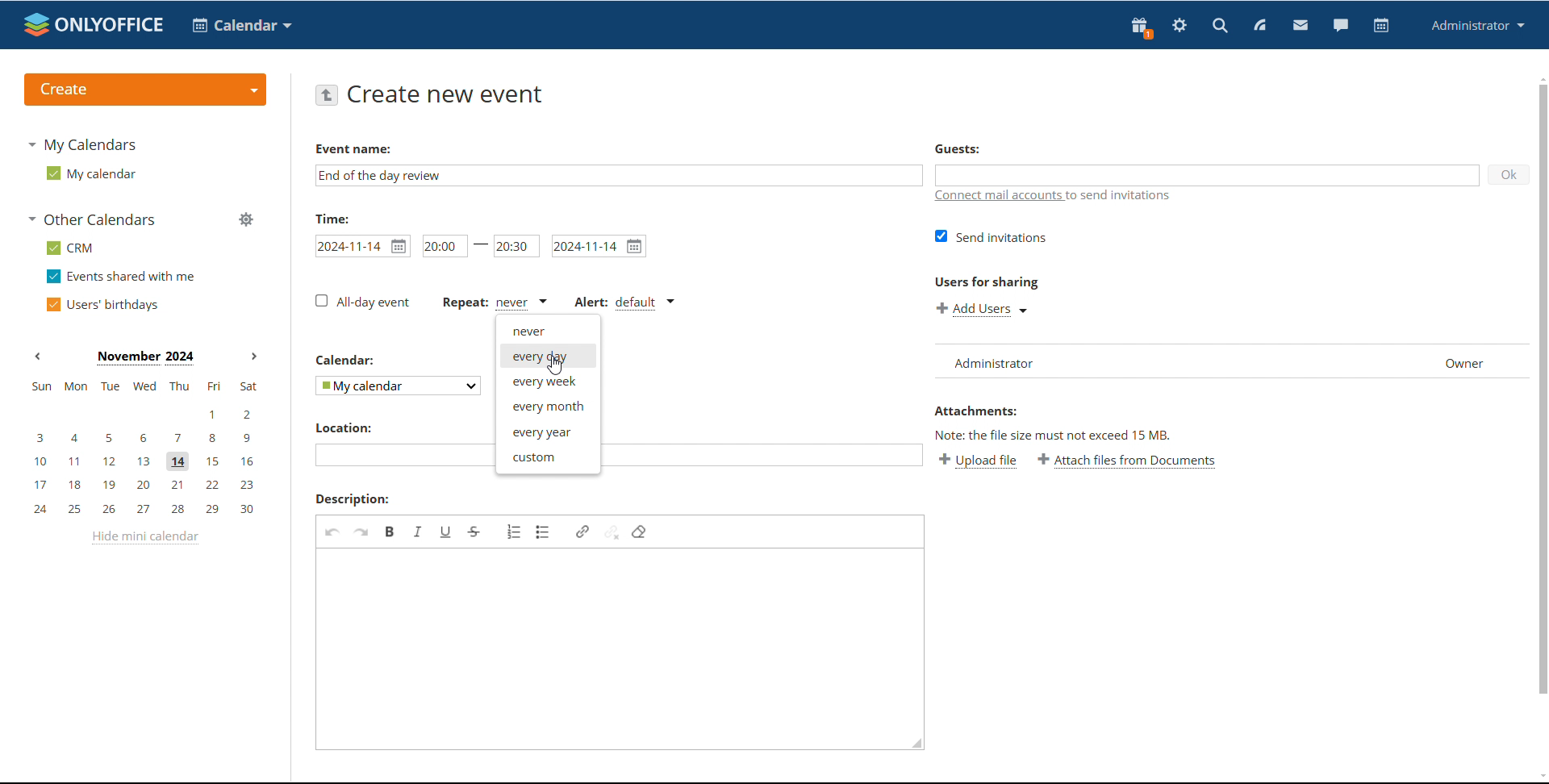 The image size is (1549, 784). I want to click on settings, so click(1179, 27).